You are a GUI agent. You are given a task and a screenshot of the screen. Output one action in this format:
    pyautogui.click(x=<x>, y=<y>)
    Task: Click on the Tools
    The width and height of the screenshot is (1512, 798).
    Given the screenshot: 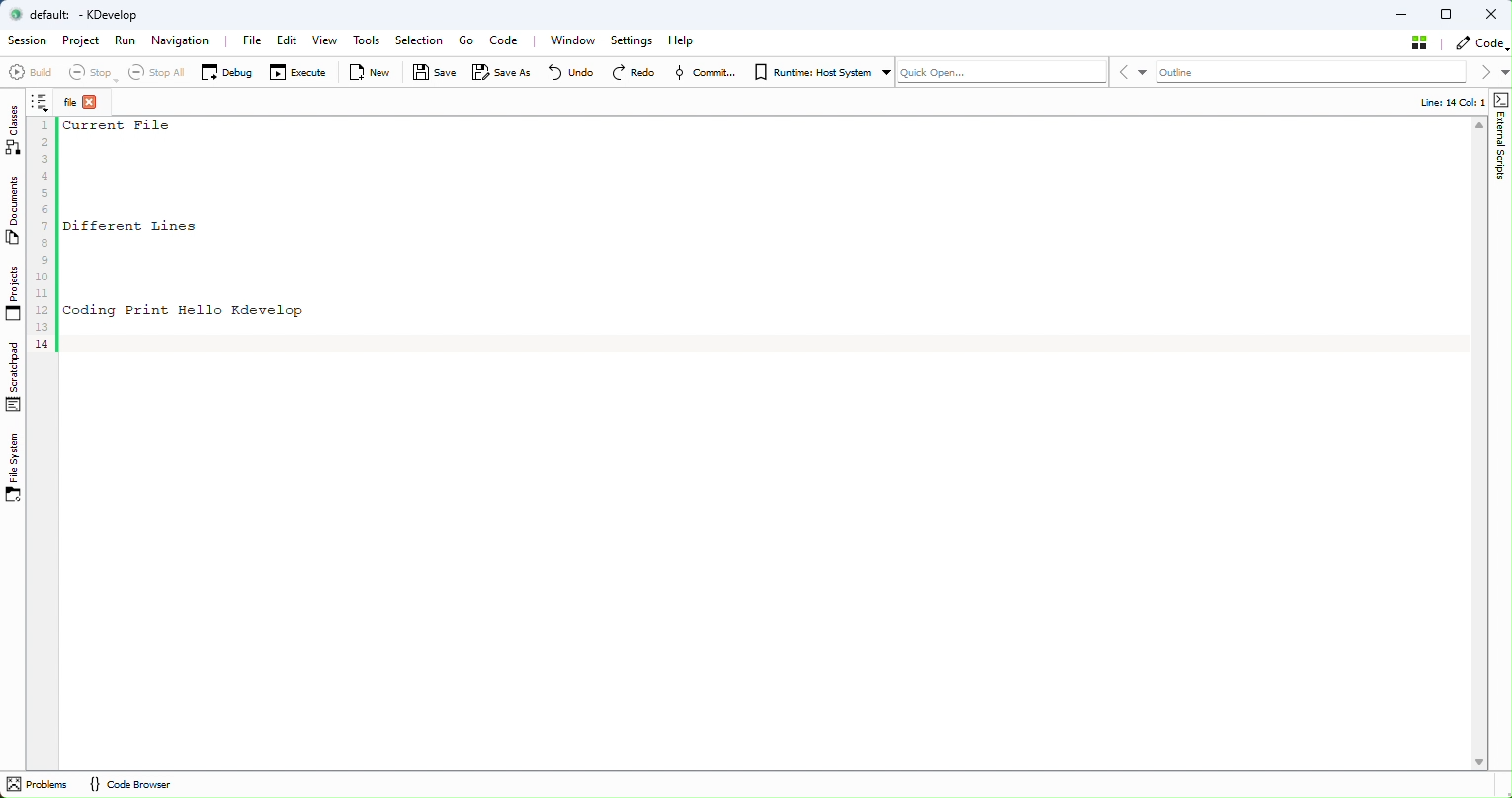 What is the action you would take?
    pyautogui.click(x=371, y=42)
    